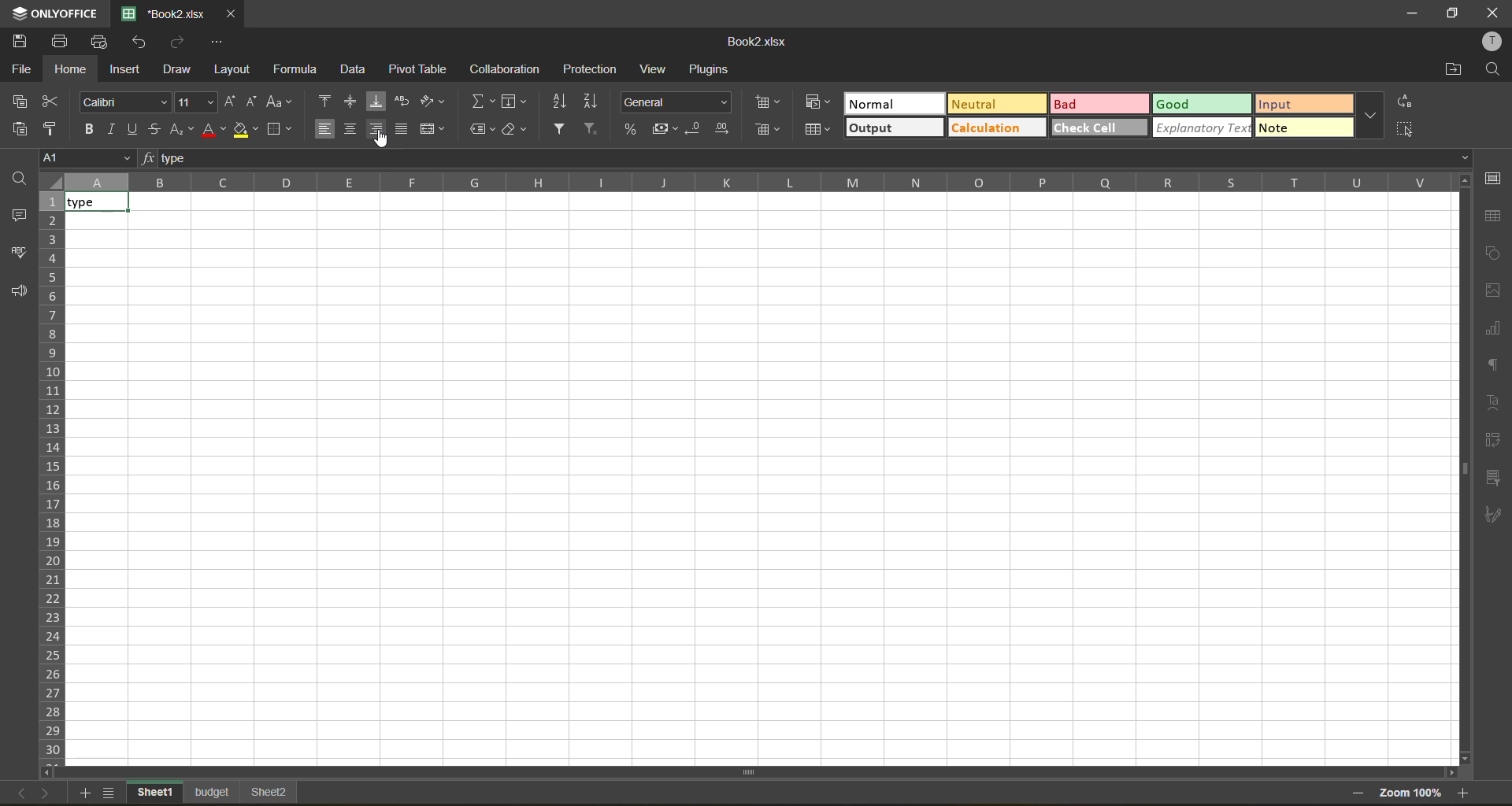 This screenshot has height=806, width=1512. Describe the element at coordinates (1490, 253) in the screenshot. I see `shapes` at that location.